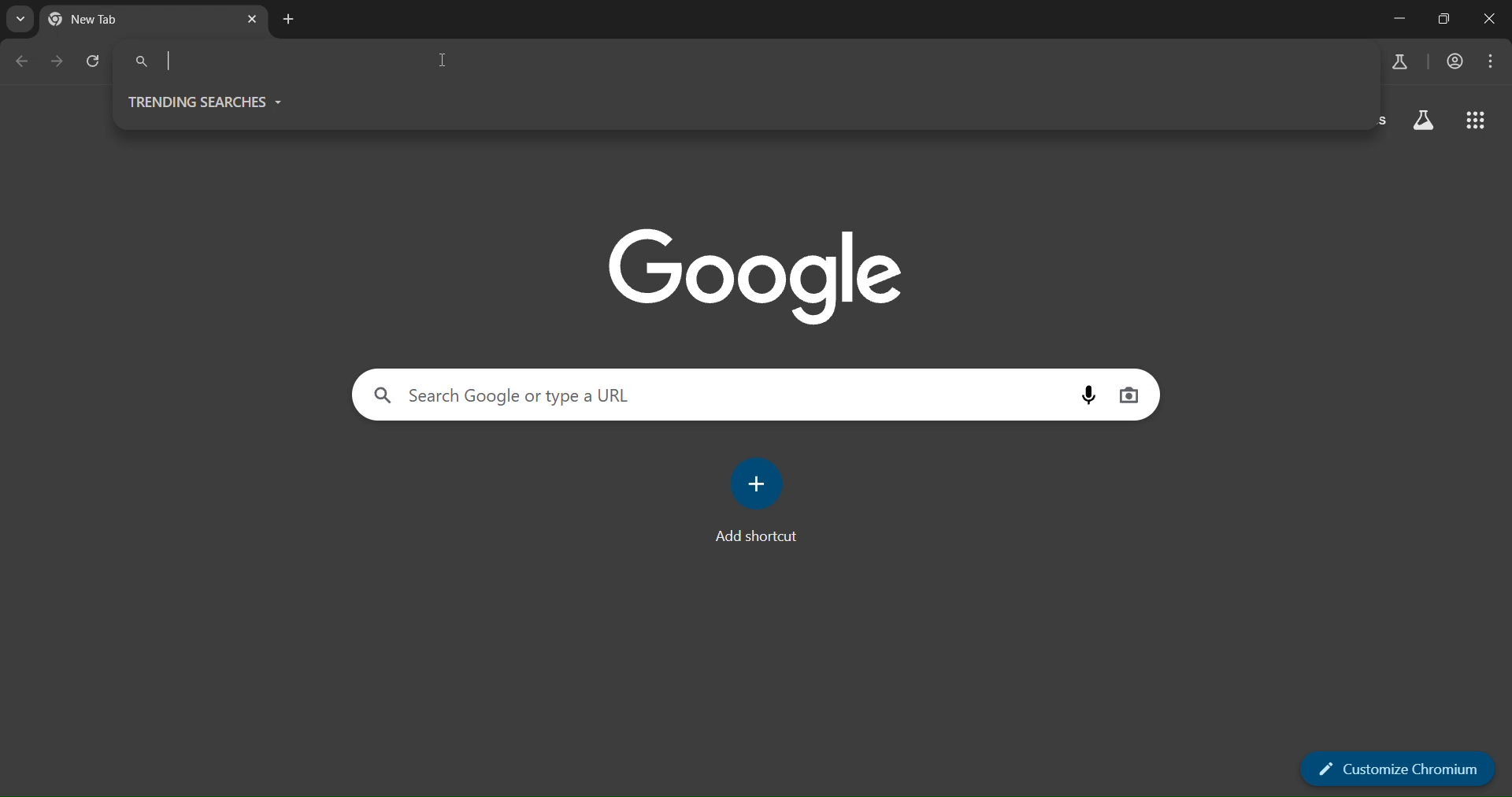 The height and width of the screenshot is (797, 1512). I want to click on menu, so click(1494, 61).